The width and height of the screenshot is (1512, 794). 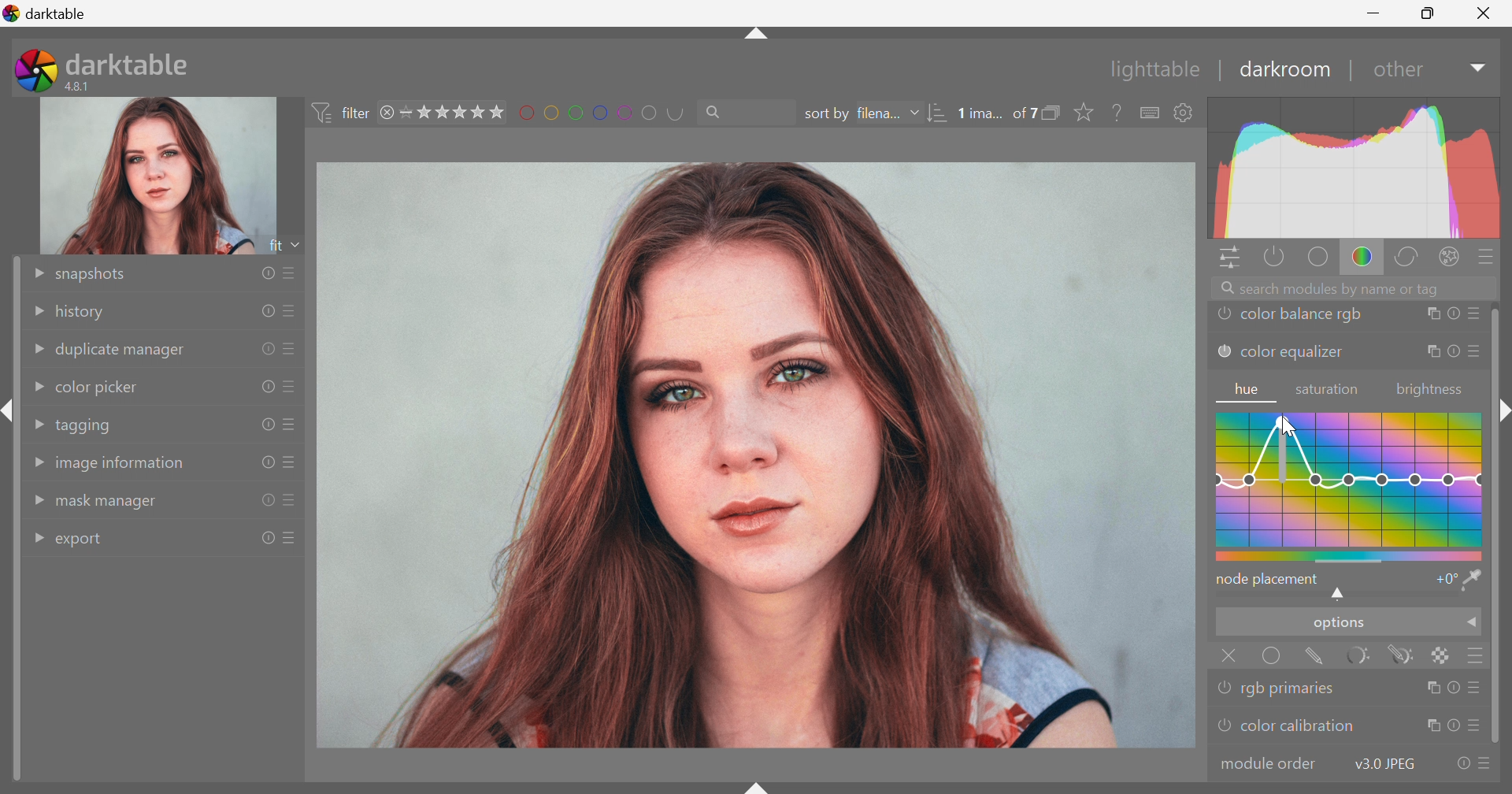 What do you see at coordinates (1319, 658) in the screenshot?
I see `drawn mask` at bounding box center [1319, 658].